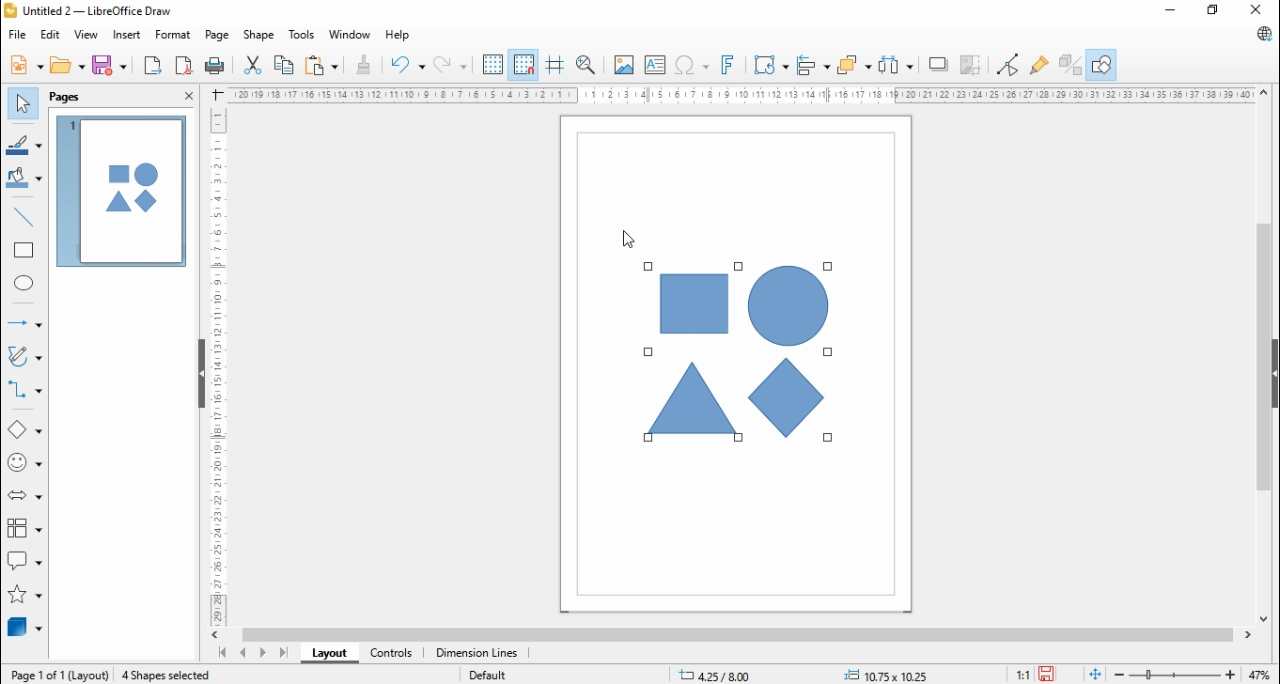 The width and height of the screenshot is (1280, 684). I want to click on previous page, so click(243, 652).